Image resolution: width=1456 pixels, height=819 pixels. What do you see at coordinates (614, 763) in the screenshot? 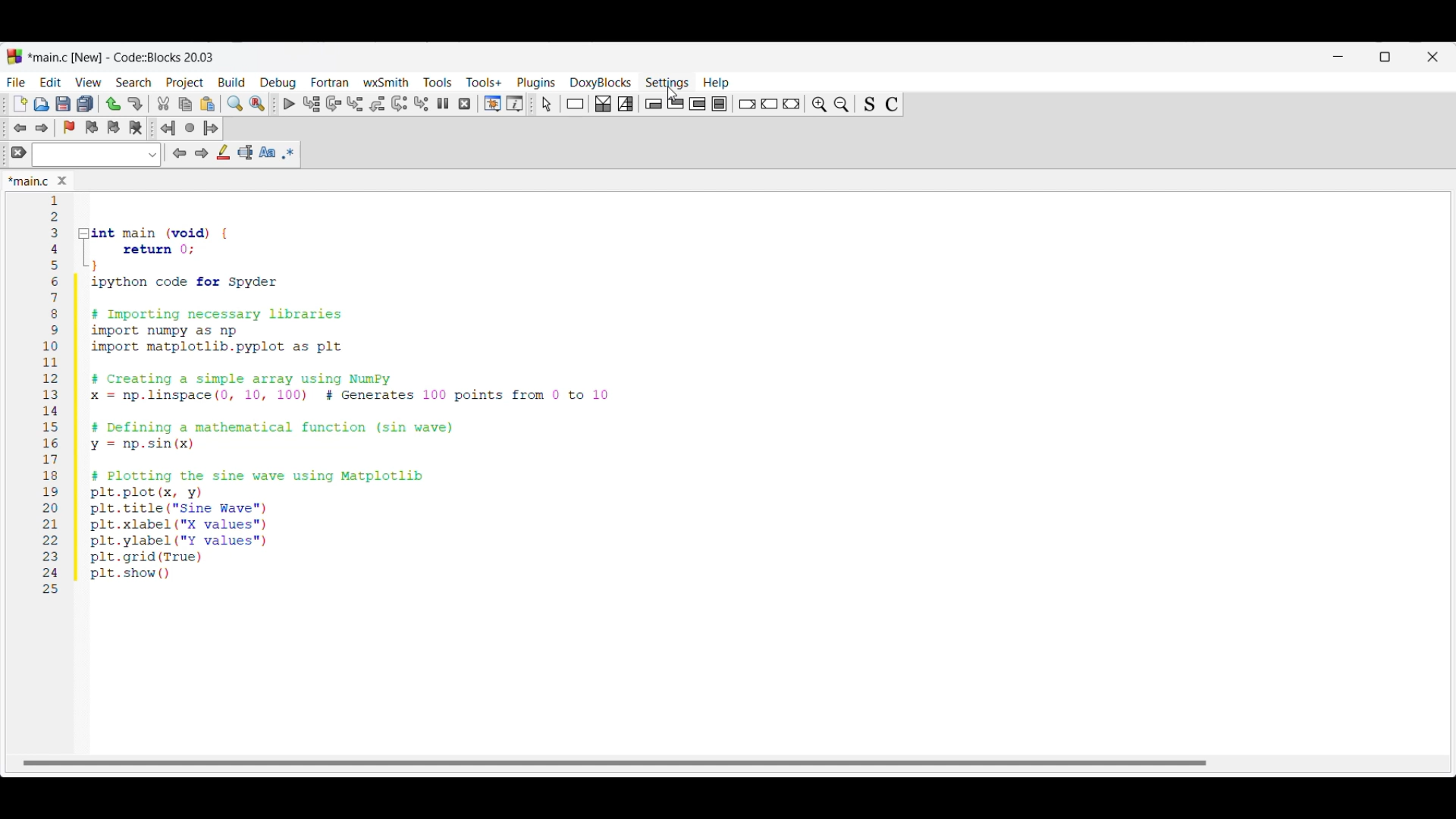
I see `Horizontal slide bar` at bounding box center [614, 763].